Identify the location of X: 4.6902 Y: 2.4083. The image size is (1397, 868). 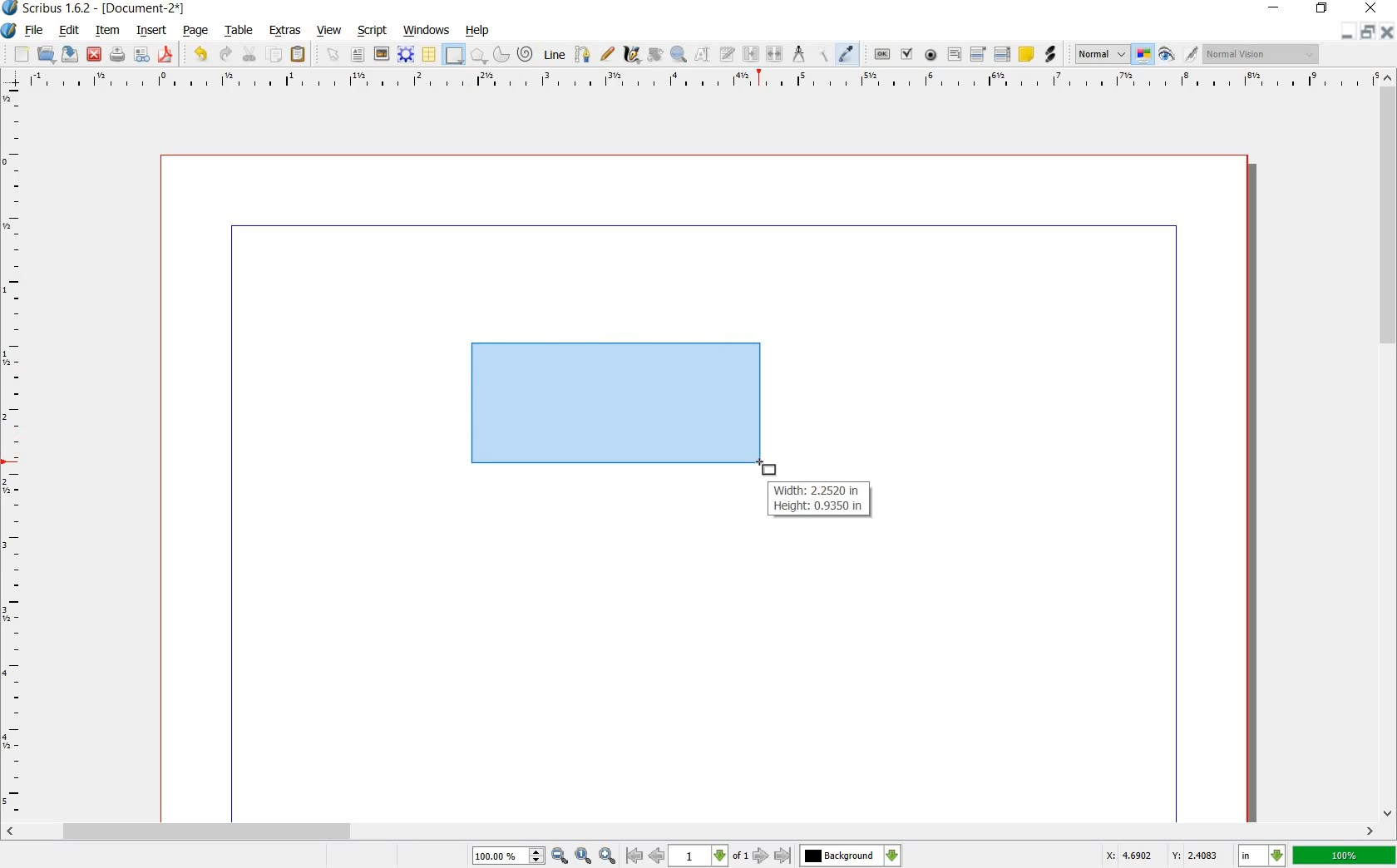
(1163, 856).